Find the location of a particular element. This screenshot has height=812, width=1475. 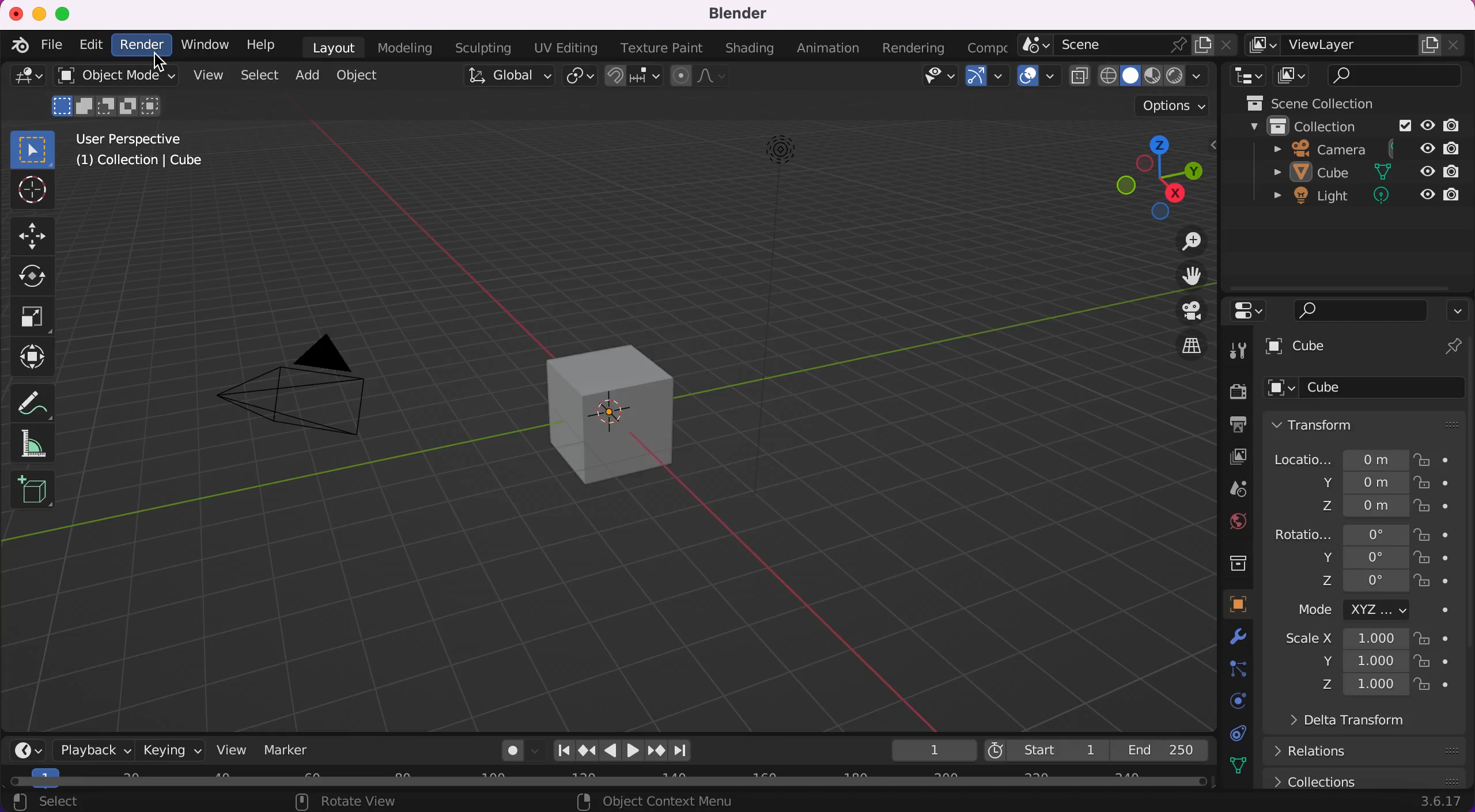

Play animation is located at coordinates (611, 750).